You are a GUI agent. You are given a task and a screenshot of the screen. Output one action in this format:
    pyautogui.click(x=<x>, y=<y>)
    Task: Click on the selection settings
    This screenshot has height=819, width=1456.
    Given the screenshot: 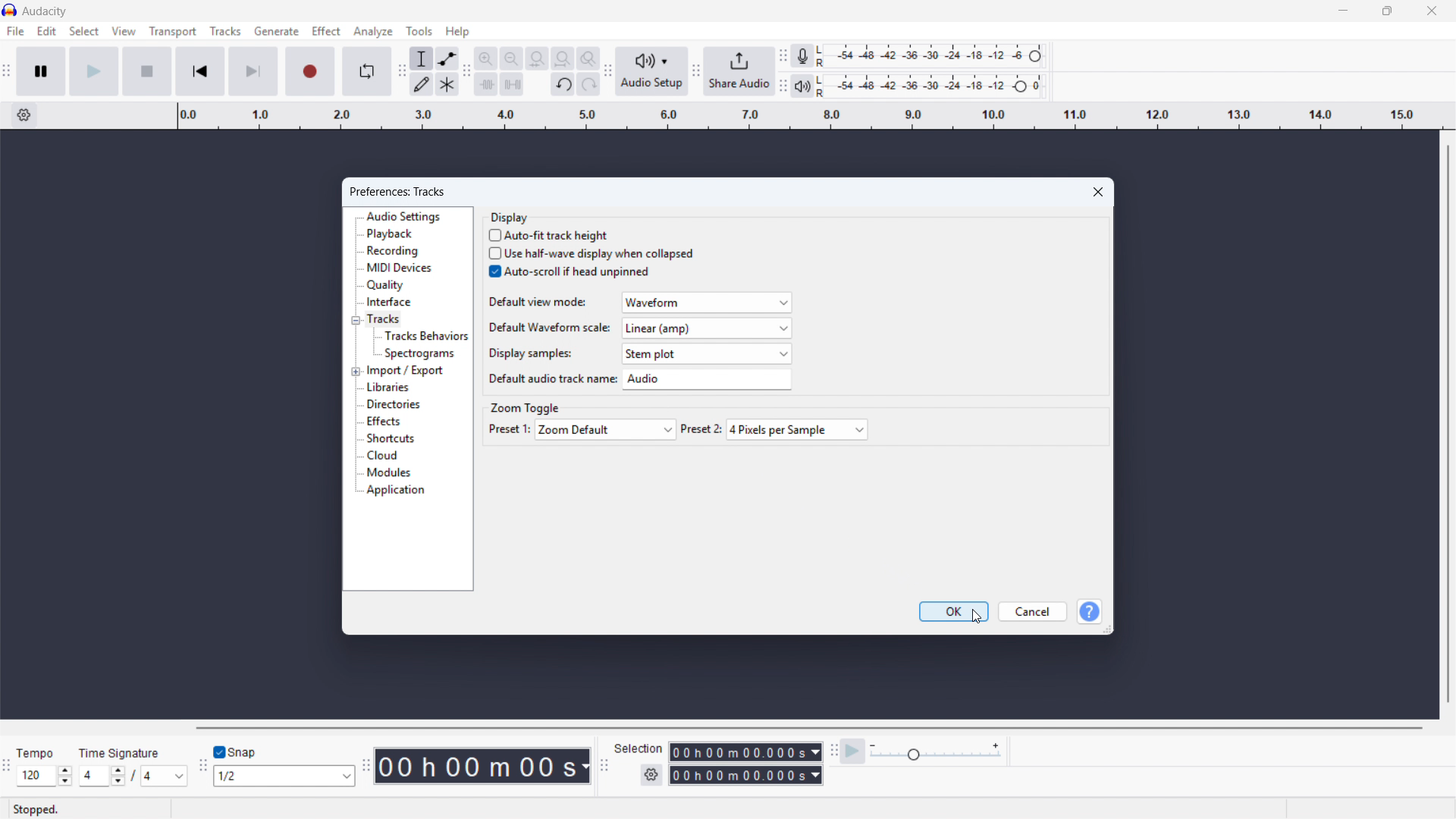 What is the action you would take?
    pyautogui.click(x=652, y=775)
    